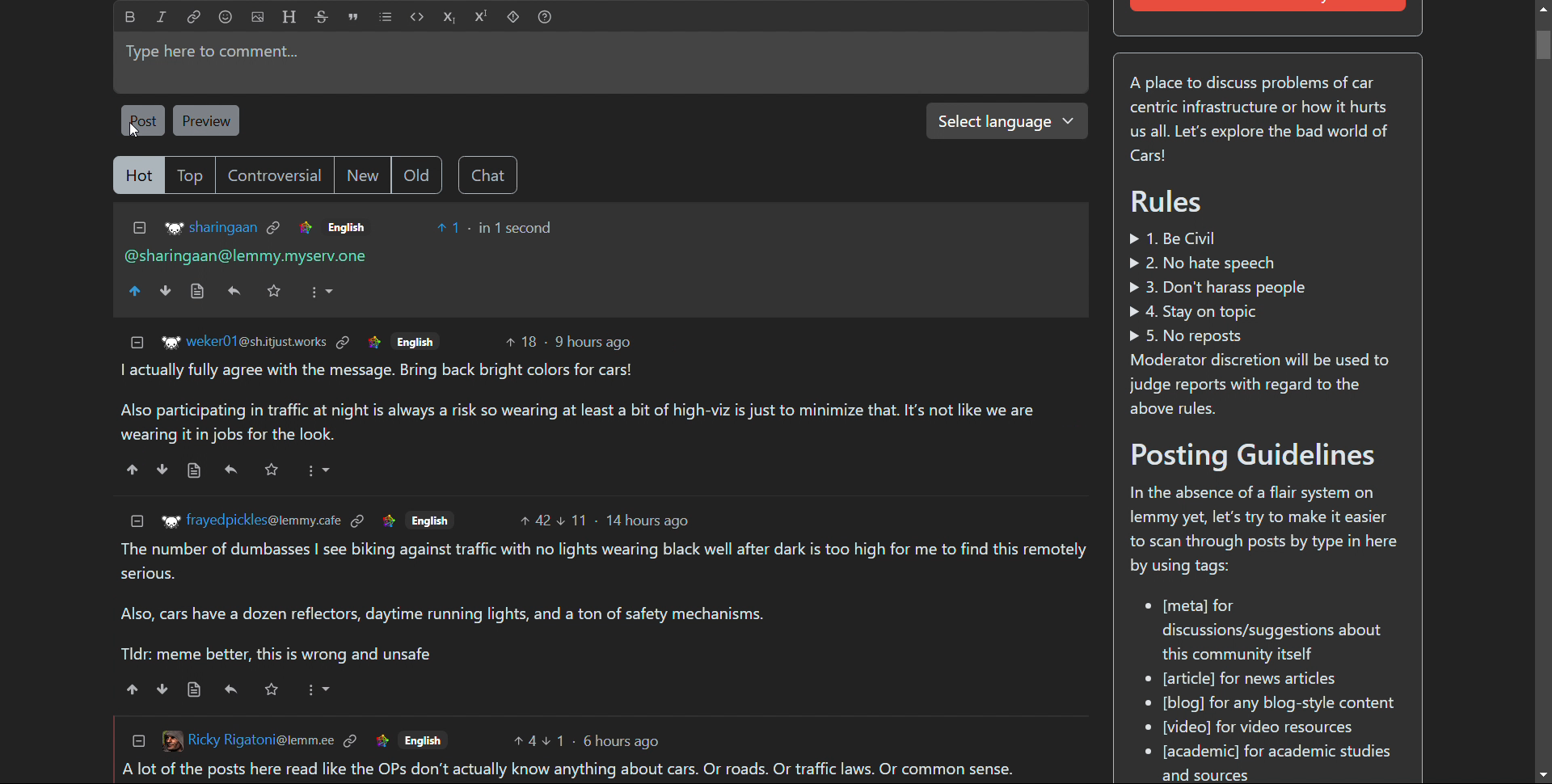 This screenshot has width=1552, height=784. What do you see at coordinates (354, 17) in the screenshot?
I see `quote` at bounding box center [354, 17].